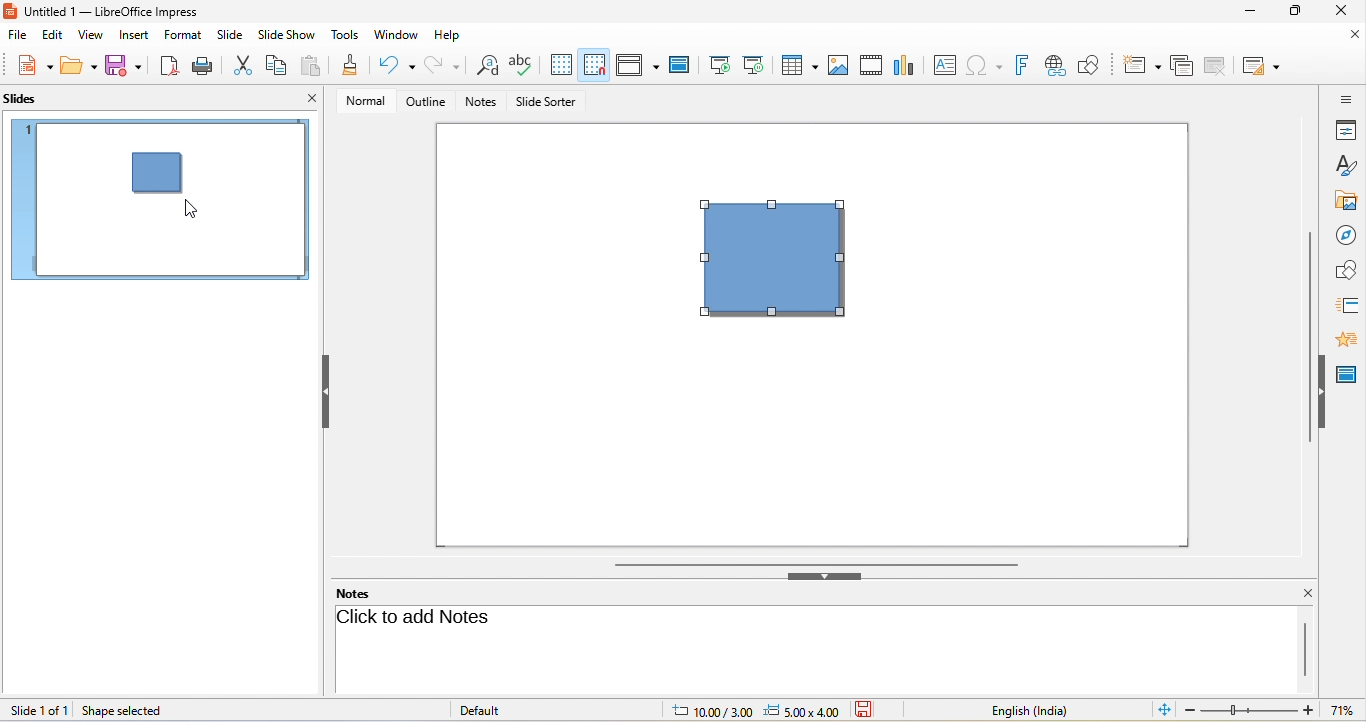 The height and width of the screenshot is (722, 1366). Describe the element at coordinates (870, 63) in the screenshot. I see `video/audio` at that location.